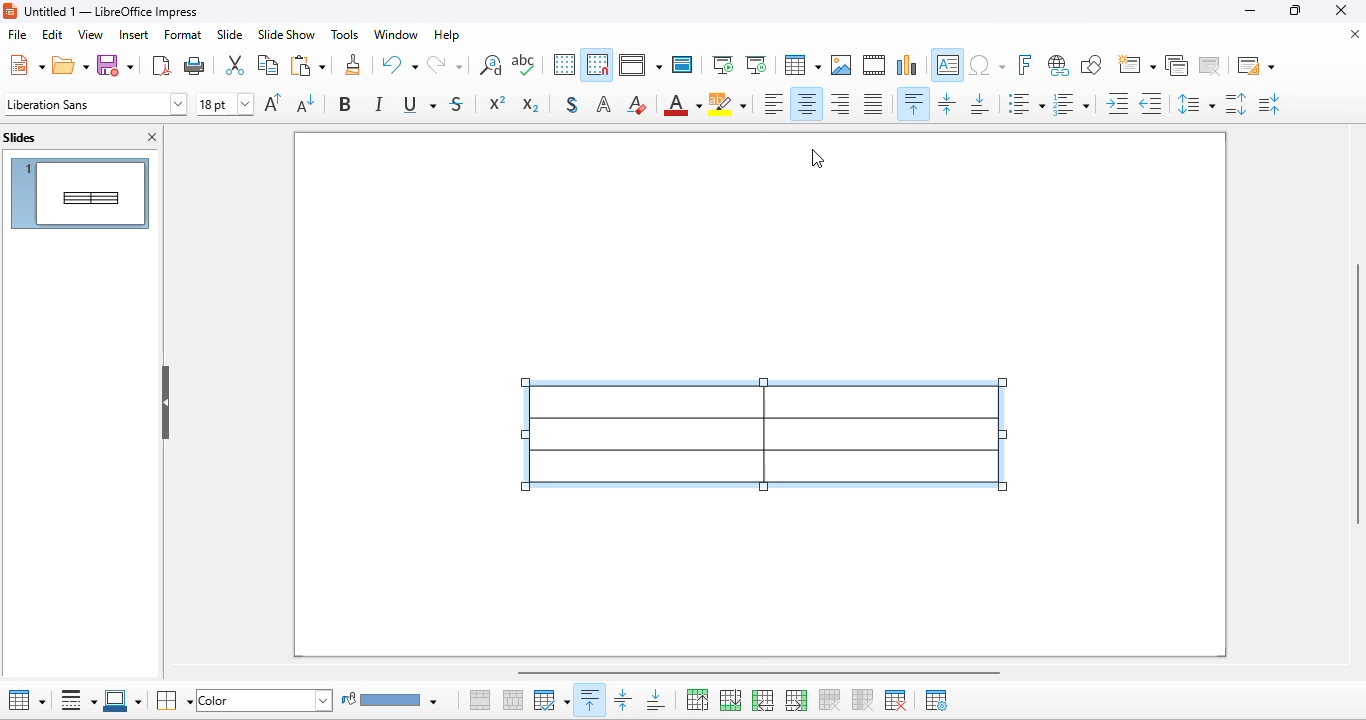  Describe the element at coordinates (274, 102) in the screenshot. I see `increase font size` at that location.